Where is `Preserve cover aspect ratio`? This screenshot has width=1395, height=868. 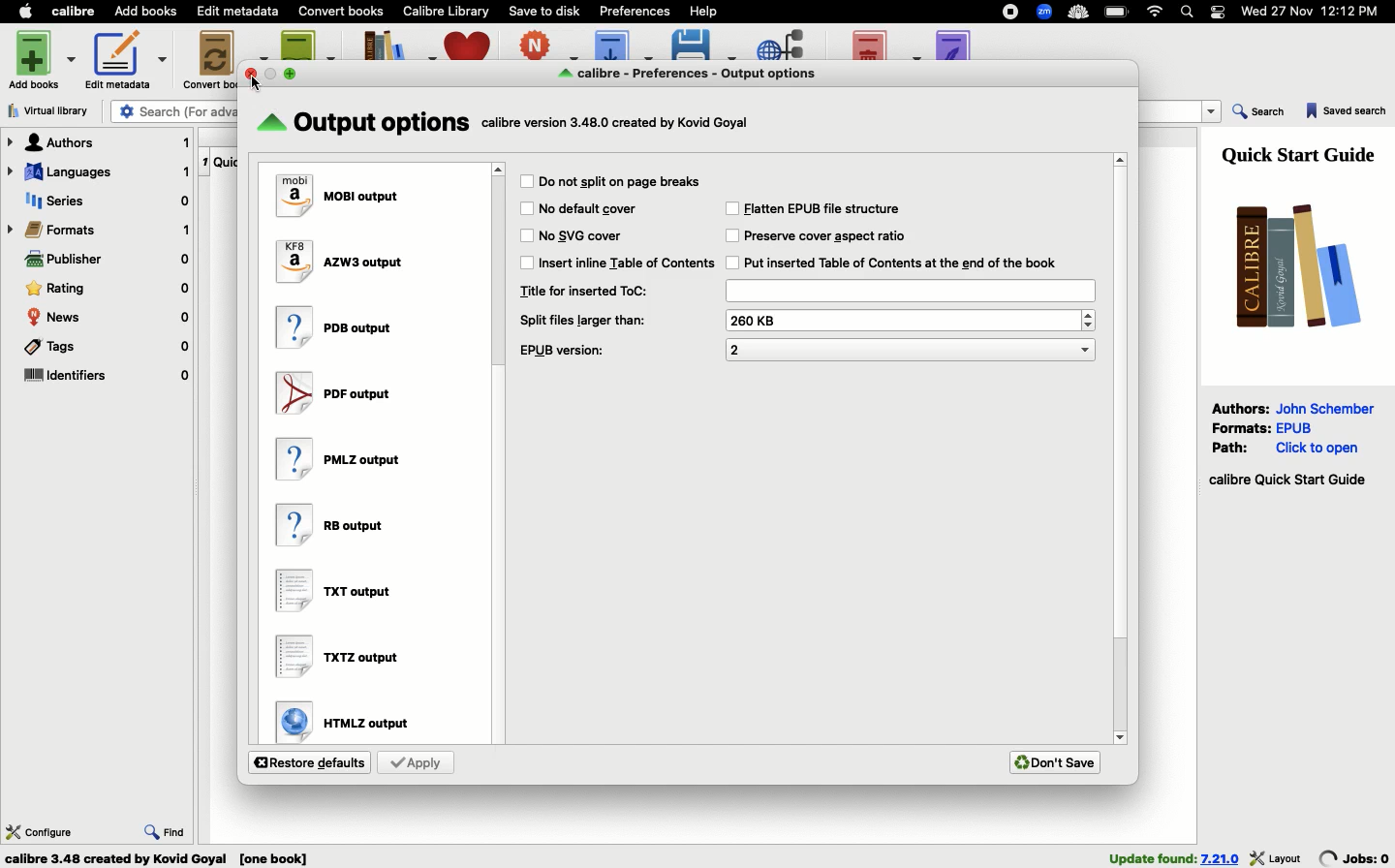 Preserve cover aspect ratio is located at coordinates (829, 235).